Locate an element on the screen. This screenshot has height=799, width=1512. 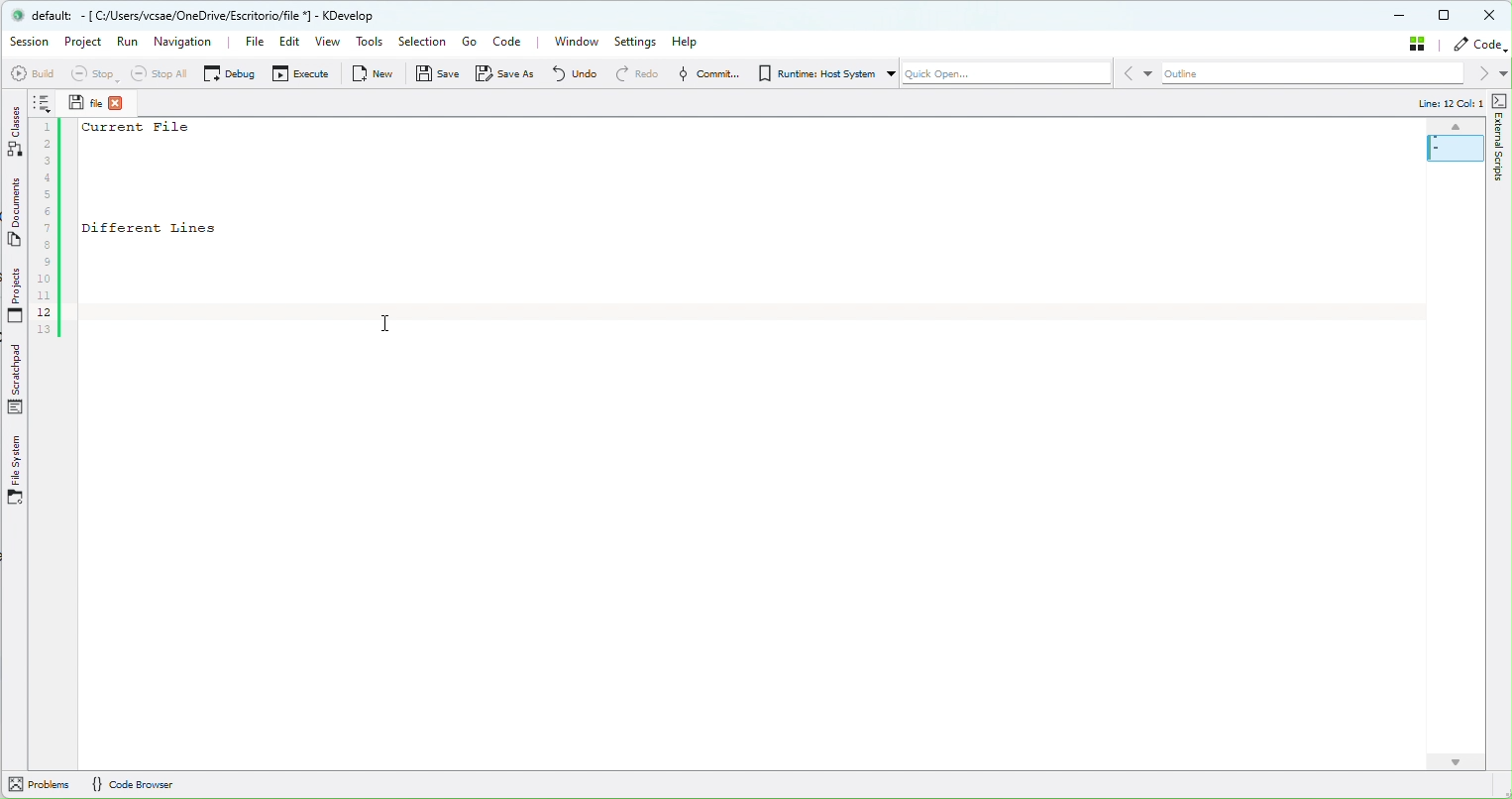
Go is located at coordinates (467, 41).